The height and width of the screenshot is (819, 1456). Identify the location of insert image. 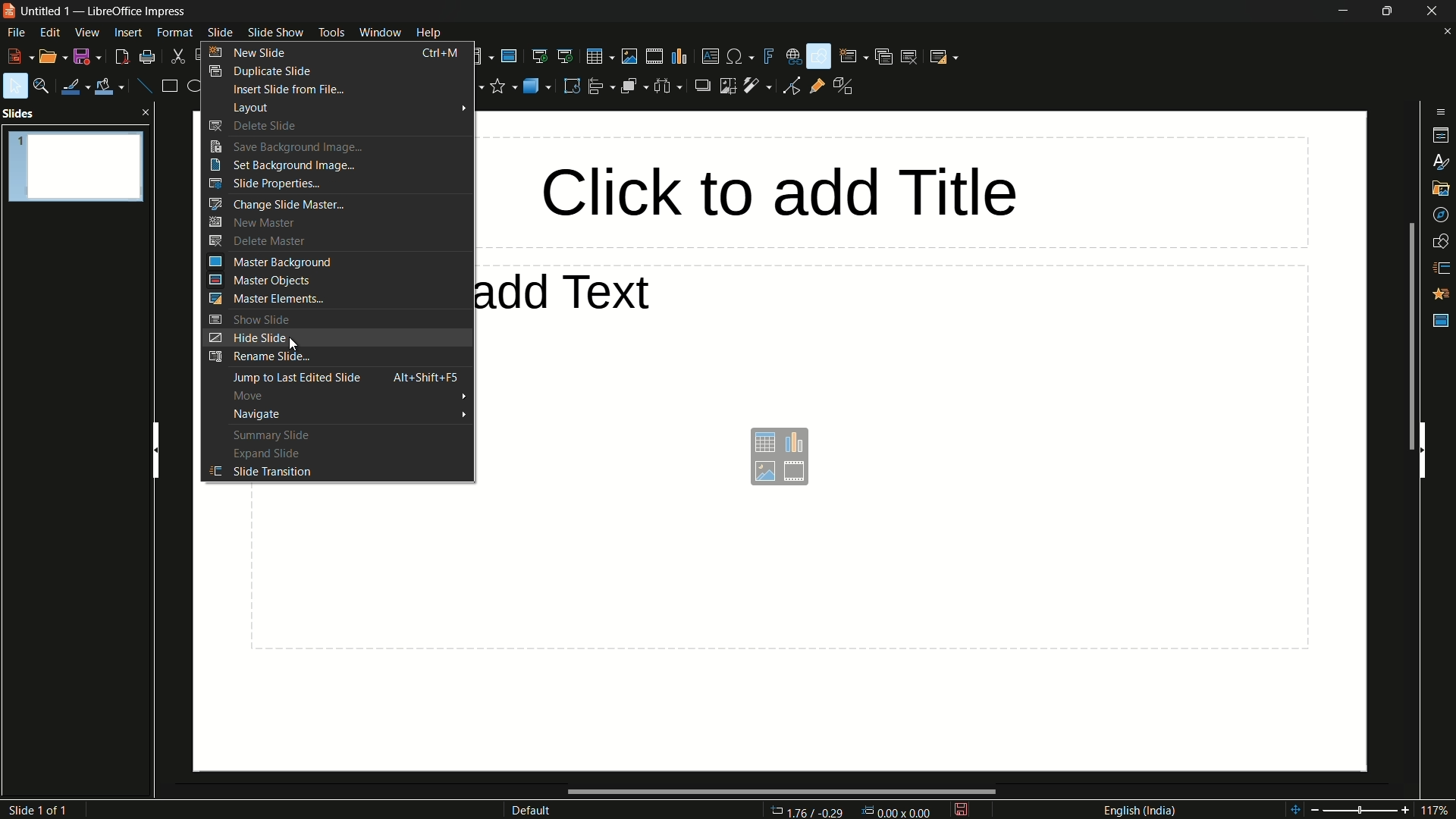
(630, 55).